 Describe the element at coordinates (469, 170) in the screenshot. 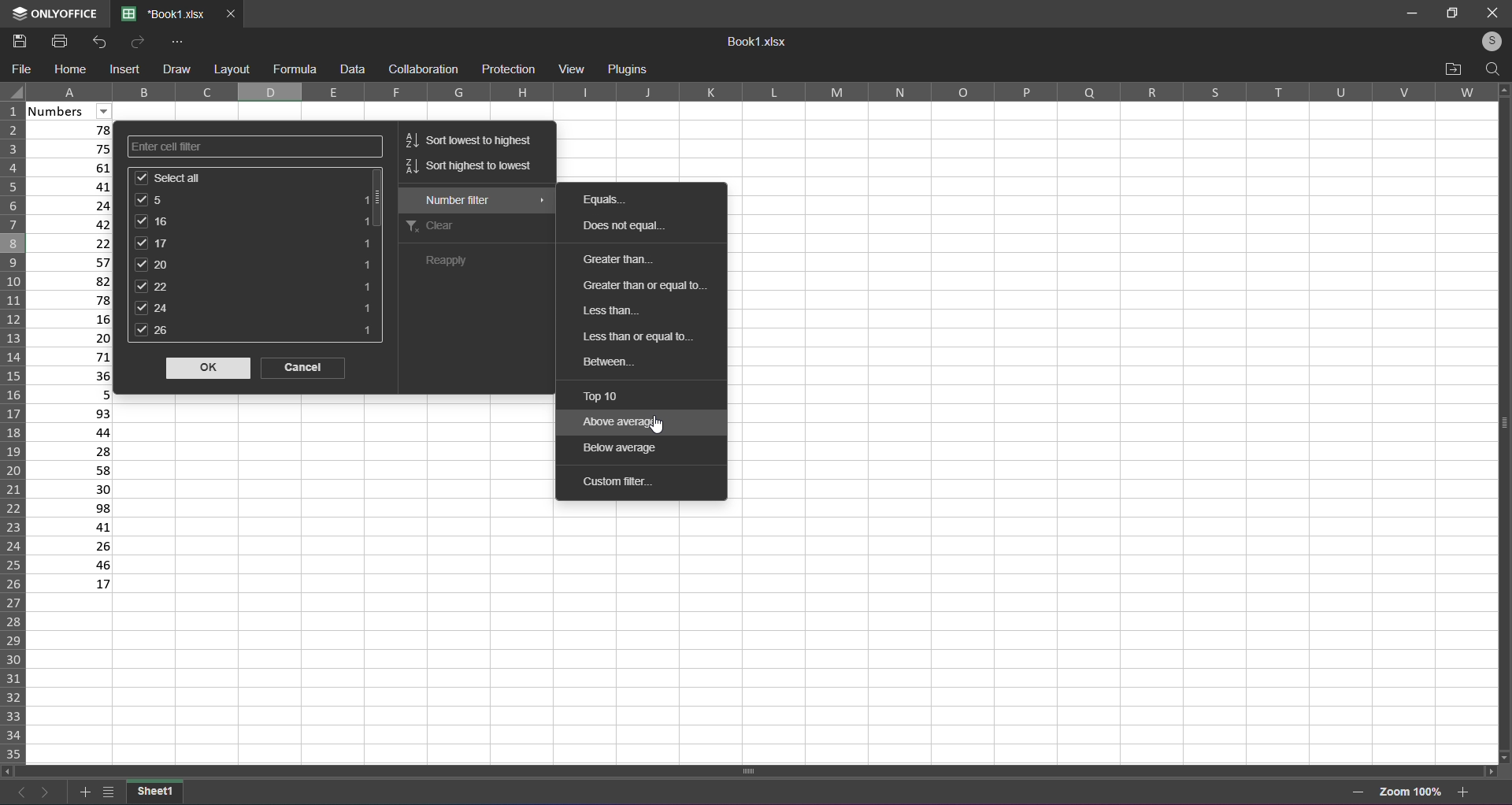

I see `sort highest to lowest` at that location.